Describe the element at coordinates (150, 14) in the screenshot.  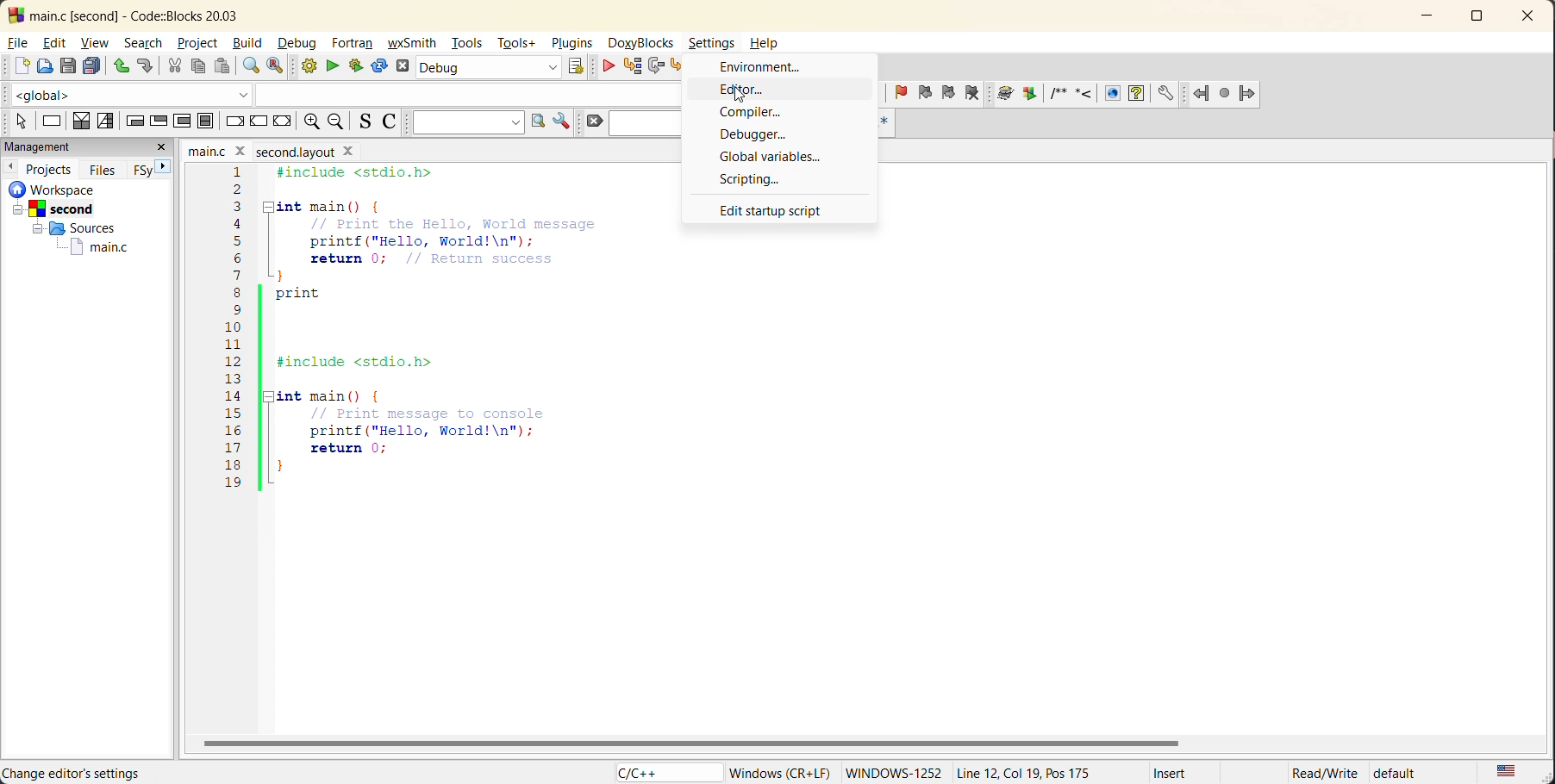
I see `app name and file name` at that location.